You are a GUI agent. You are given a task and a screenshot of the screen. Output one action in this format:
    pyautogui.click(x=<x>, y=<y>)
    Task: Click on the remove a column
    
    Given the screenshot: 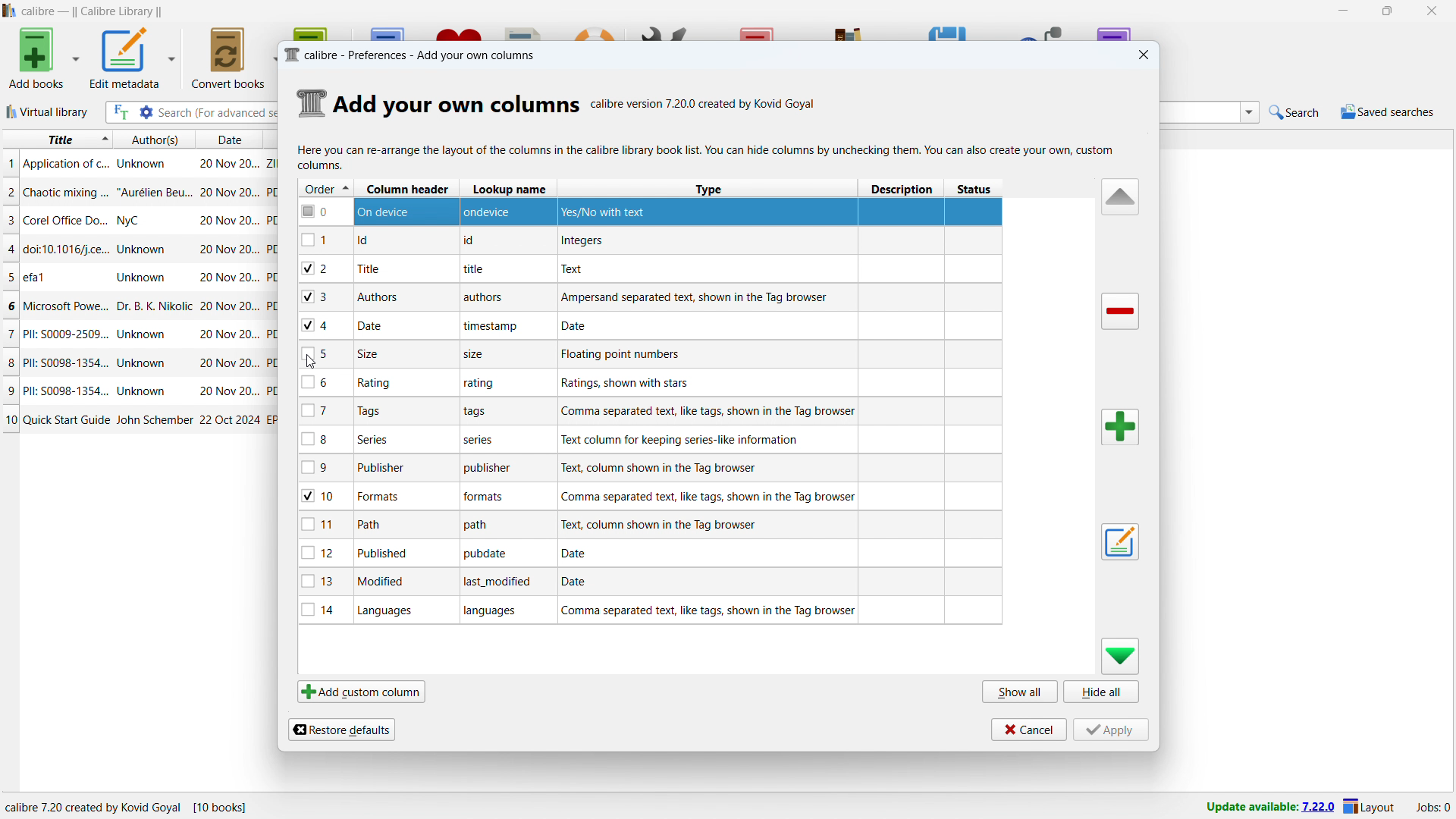 What is the action you would take?
    pyautogui.click(x=1119, y=312)
    